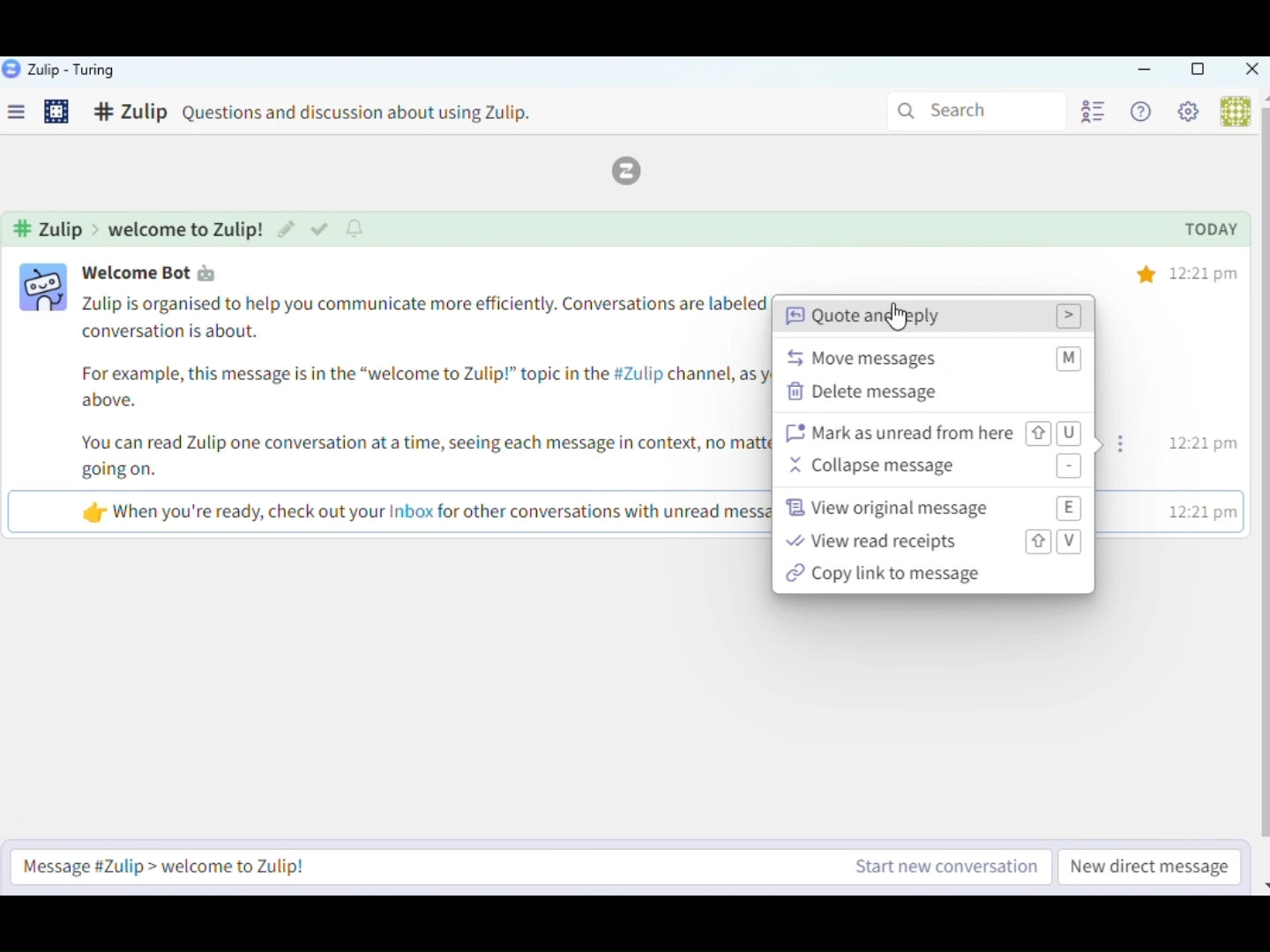  I want to click on Search, so click(972, 109).